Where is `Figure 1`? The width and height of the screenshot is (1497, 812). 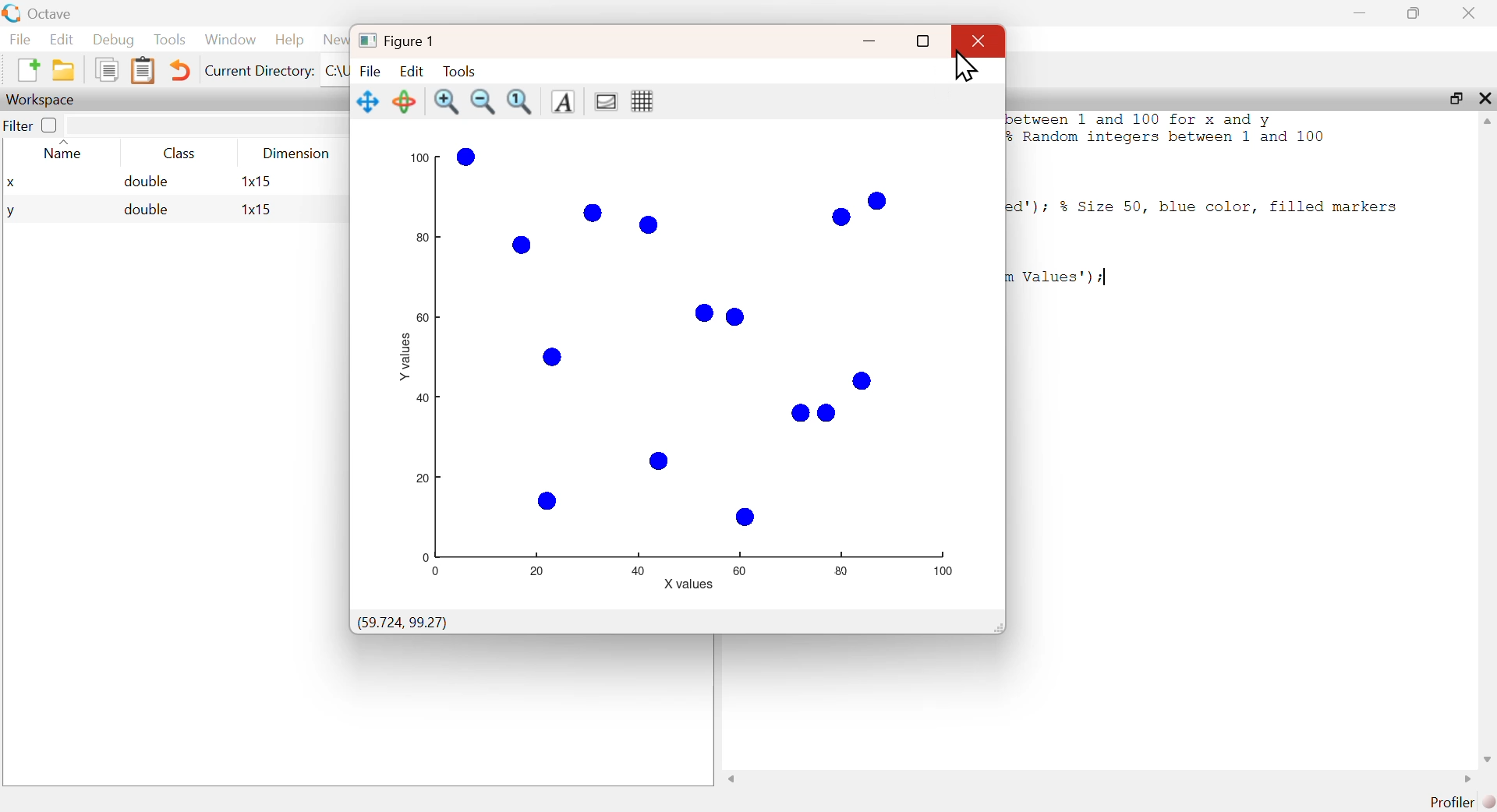 Figure 1 is located at coordinates (398, 41).